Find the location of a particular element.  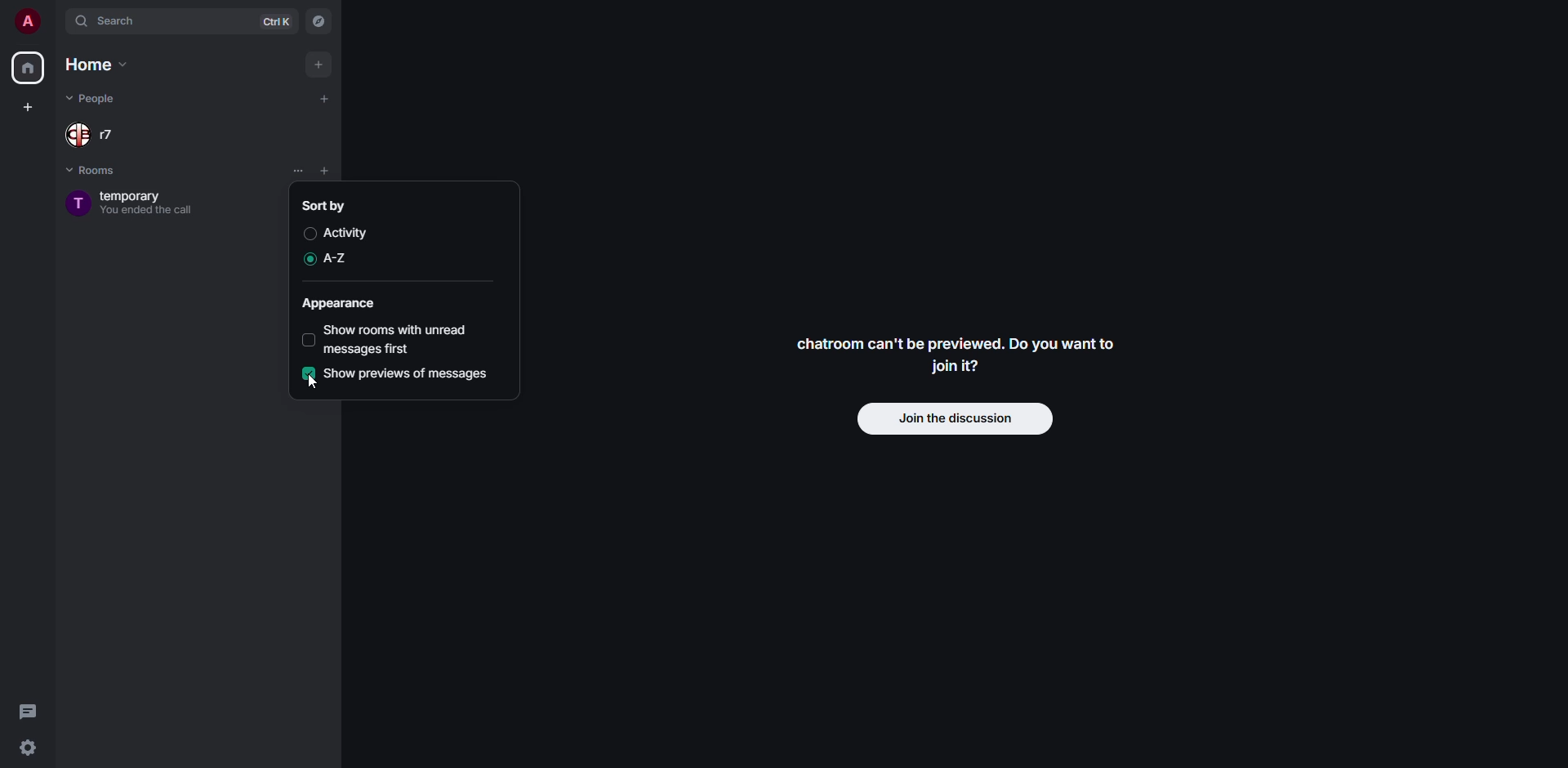

disabled is located at coordinates (310, 233).